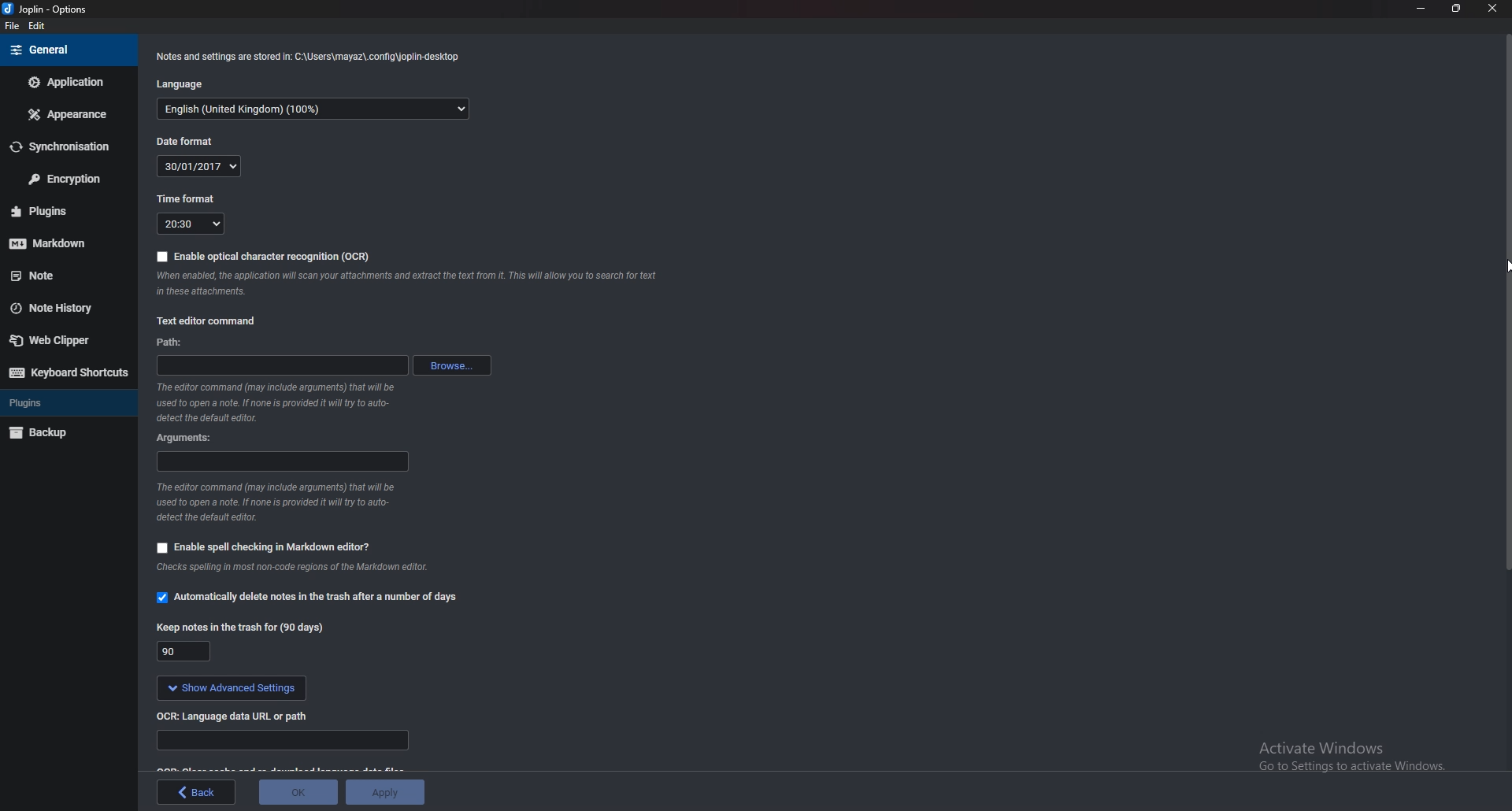 This screenshot has height=811, width=1512. Describe the element at coordinates (66, 113) in the screenshot. I see `Appearance` at that location.